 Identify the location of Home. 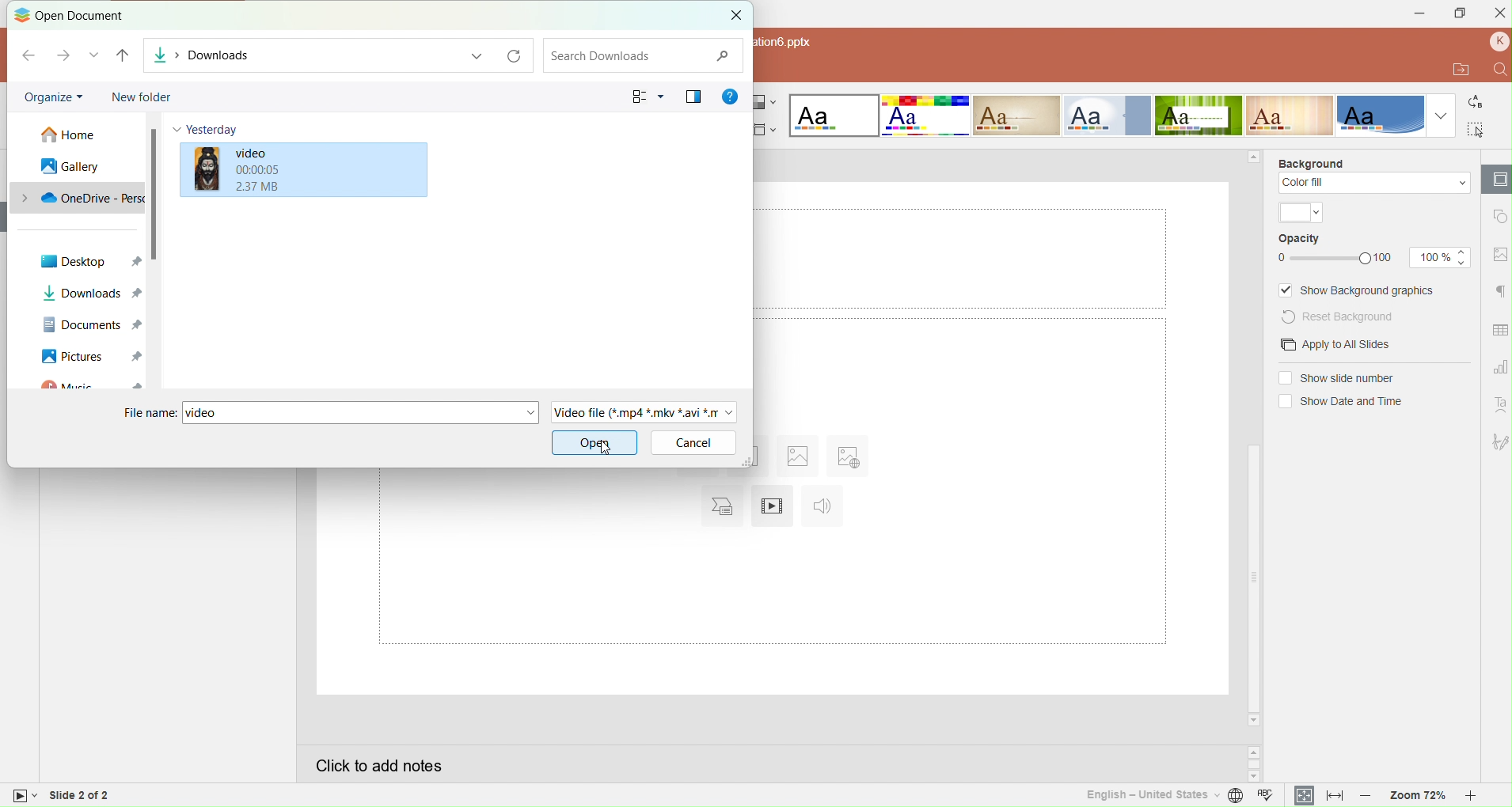
(64, 136).